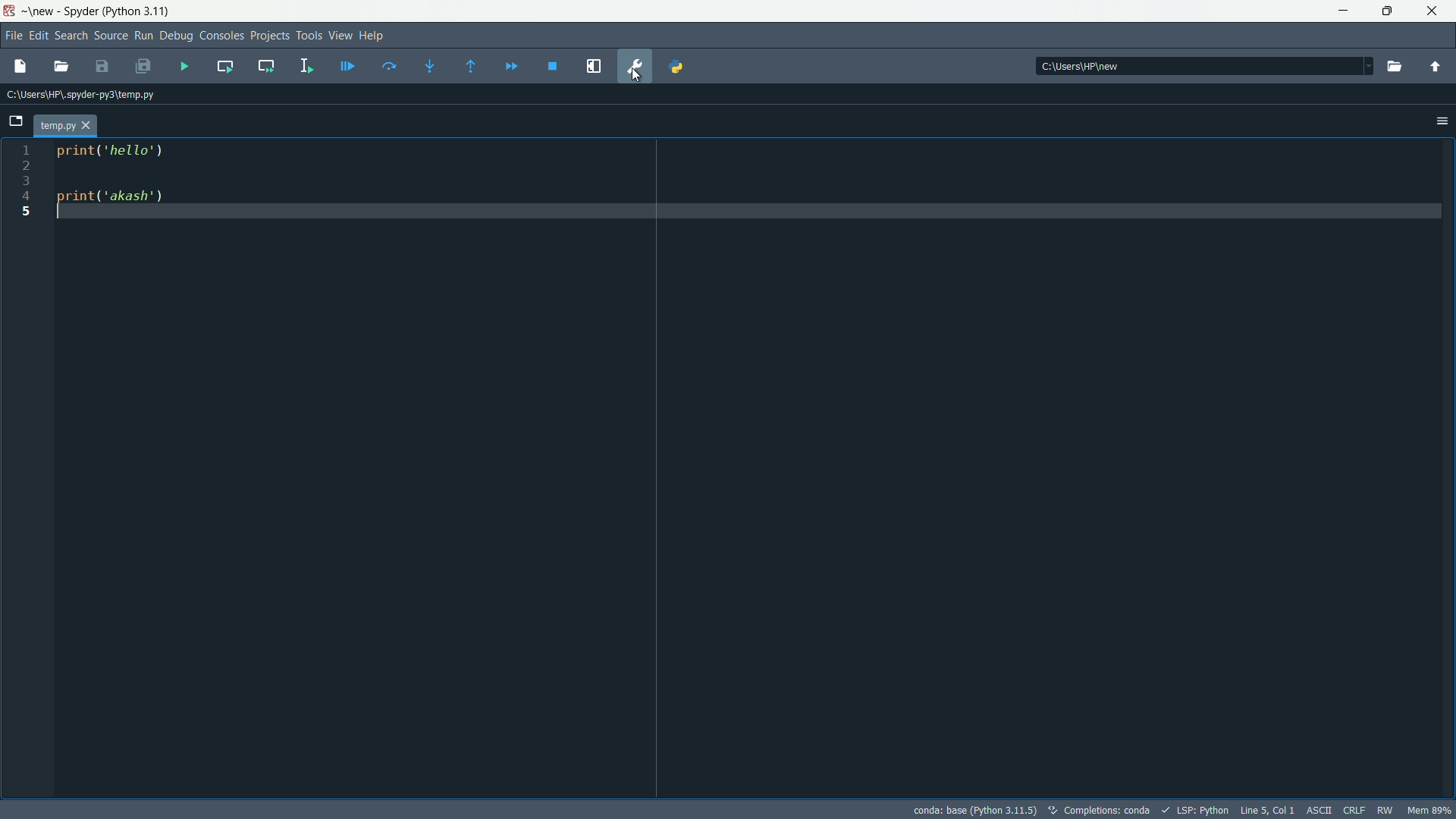 The image size is (1456, 819). Describe the element at coordinates (1316, 809) in the screenshot. I see `file encoding` at that location.